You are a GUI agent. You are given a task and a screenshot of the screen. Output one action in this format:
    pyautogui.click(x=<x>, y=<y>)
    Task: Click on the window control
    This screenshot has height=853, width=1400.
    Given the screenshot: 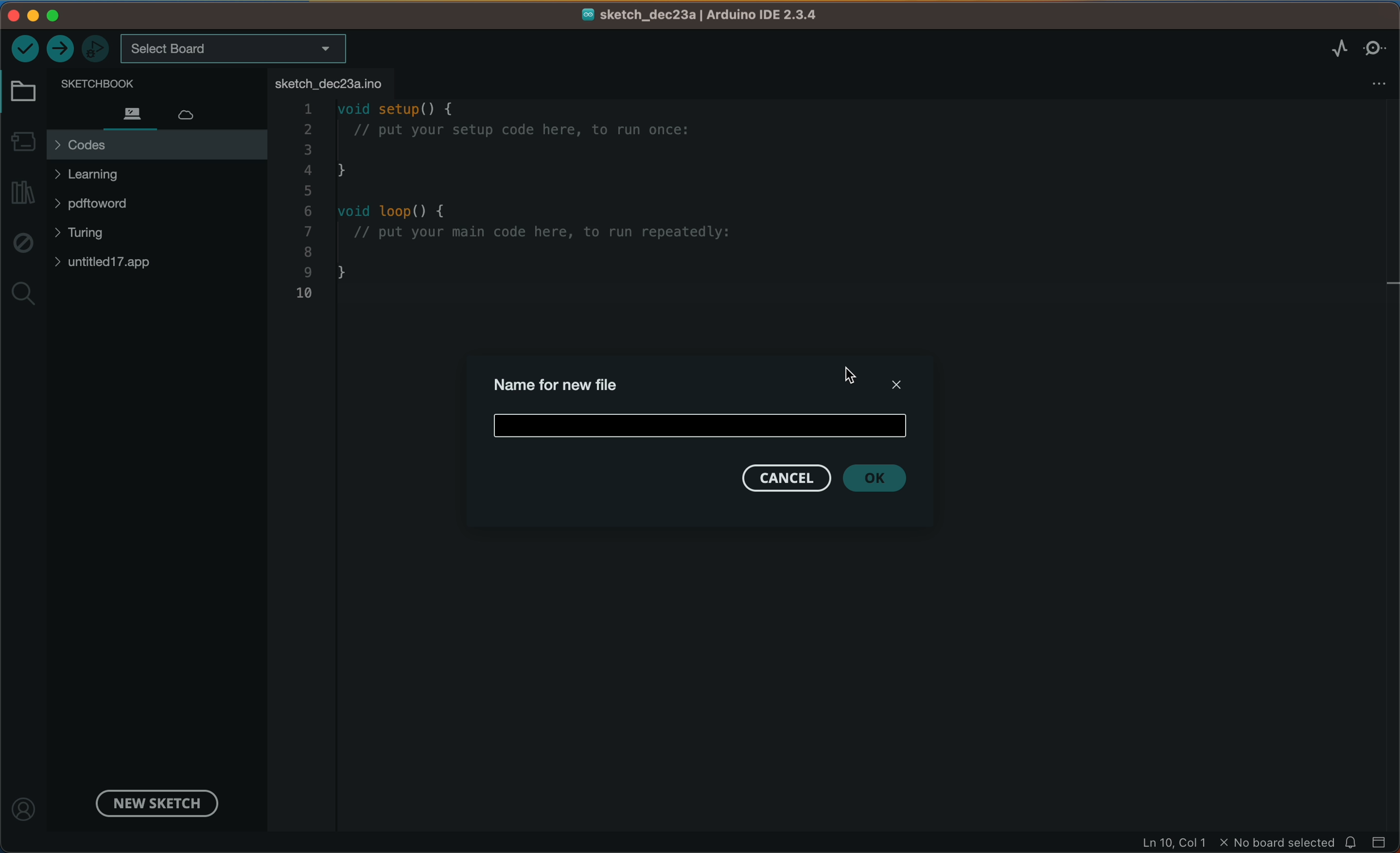 What is the action you would take?
    pyautogui.click(x=49, y=15)
    